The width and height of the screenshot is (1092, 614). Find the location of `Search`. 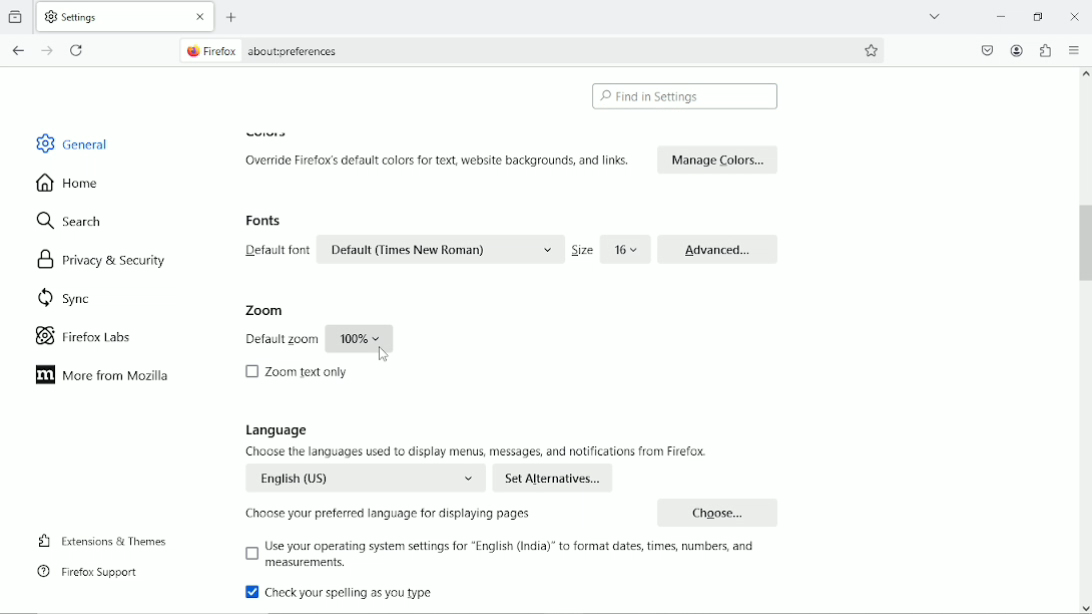

Search is located at coordinates (70, 222).